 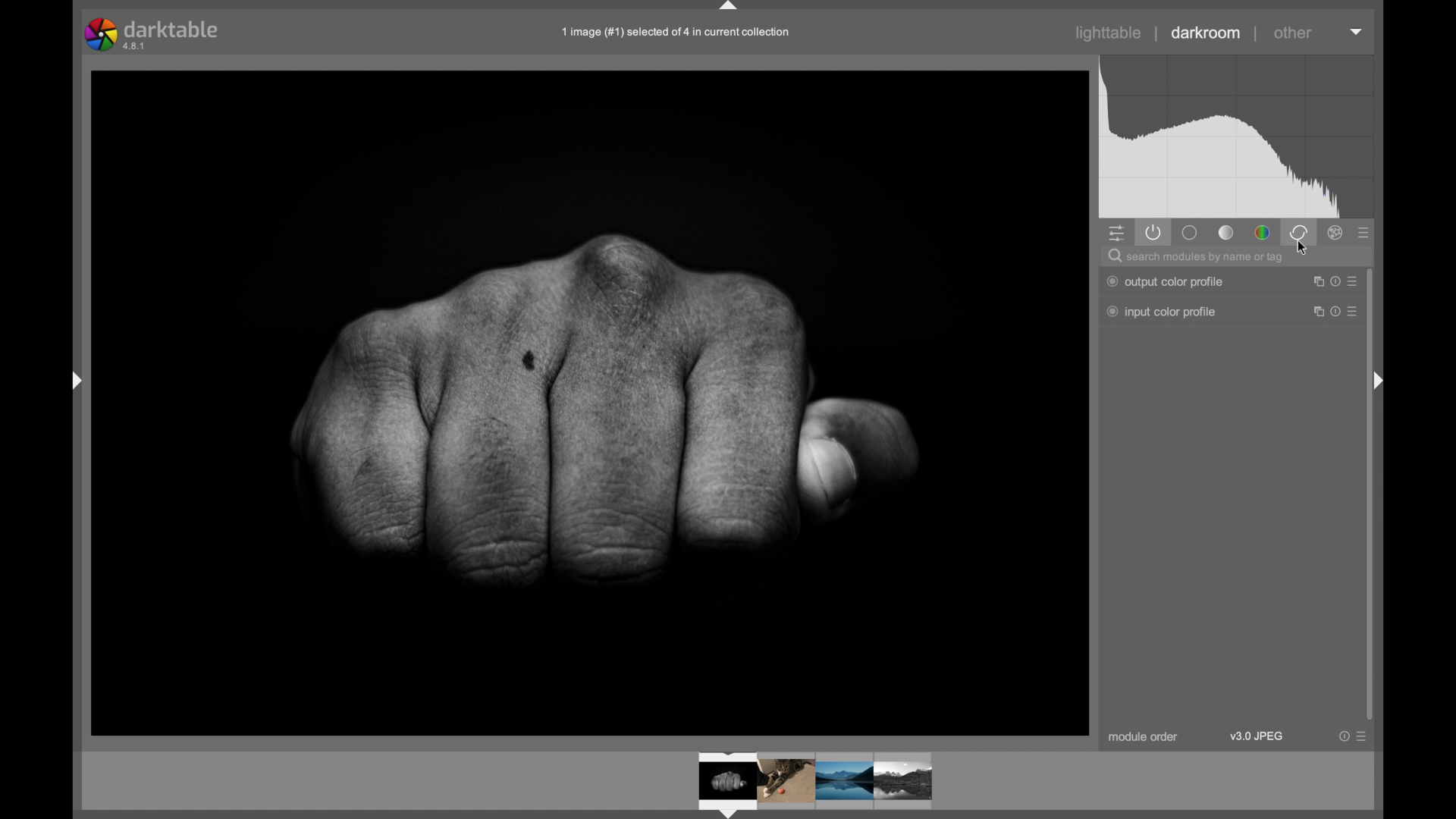 I want to click on cursor, so click(x=1301, y=249).